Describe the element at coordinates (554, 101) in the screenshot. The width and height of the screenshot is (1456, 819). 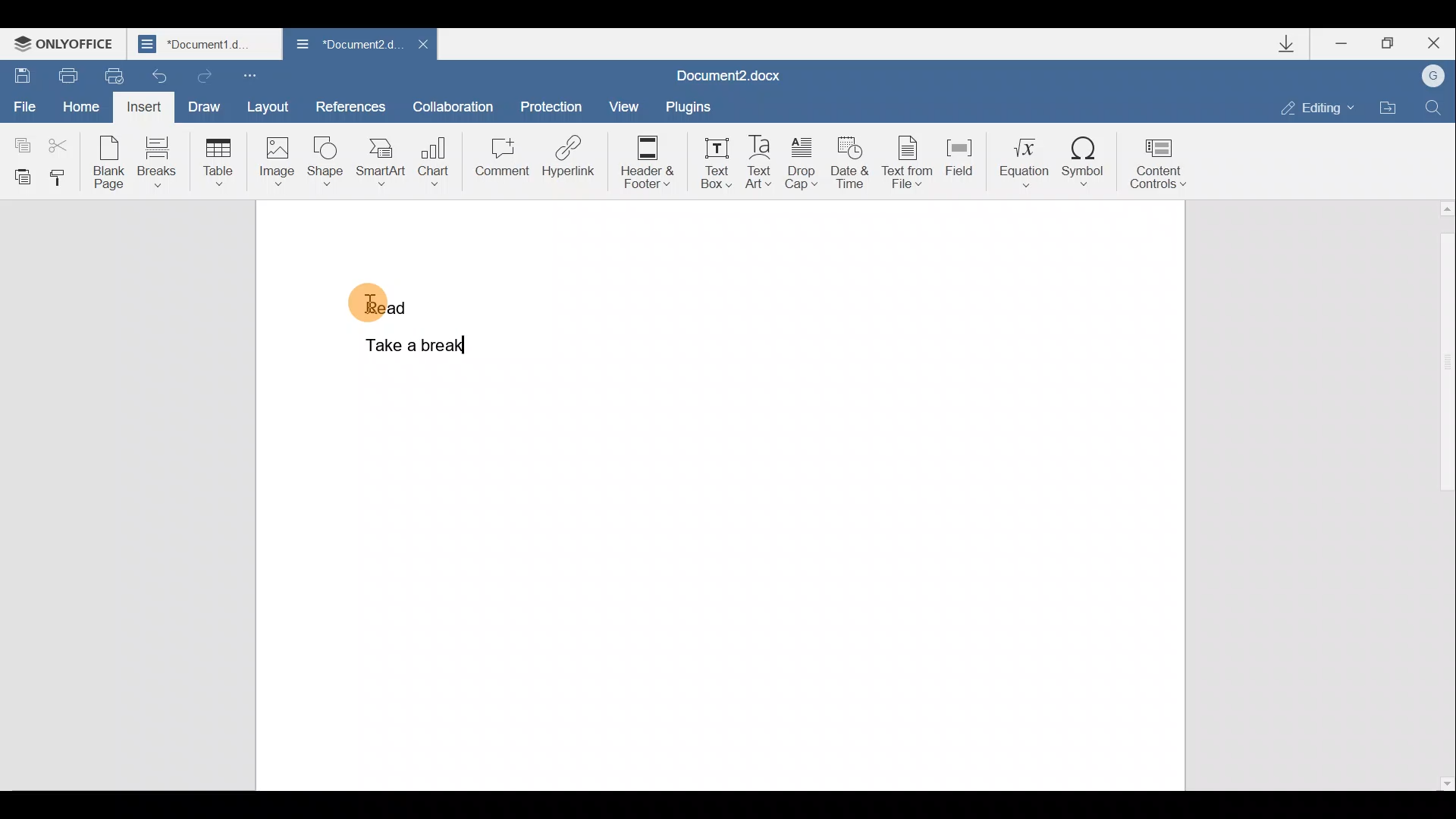
I see `Protection` at that location.